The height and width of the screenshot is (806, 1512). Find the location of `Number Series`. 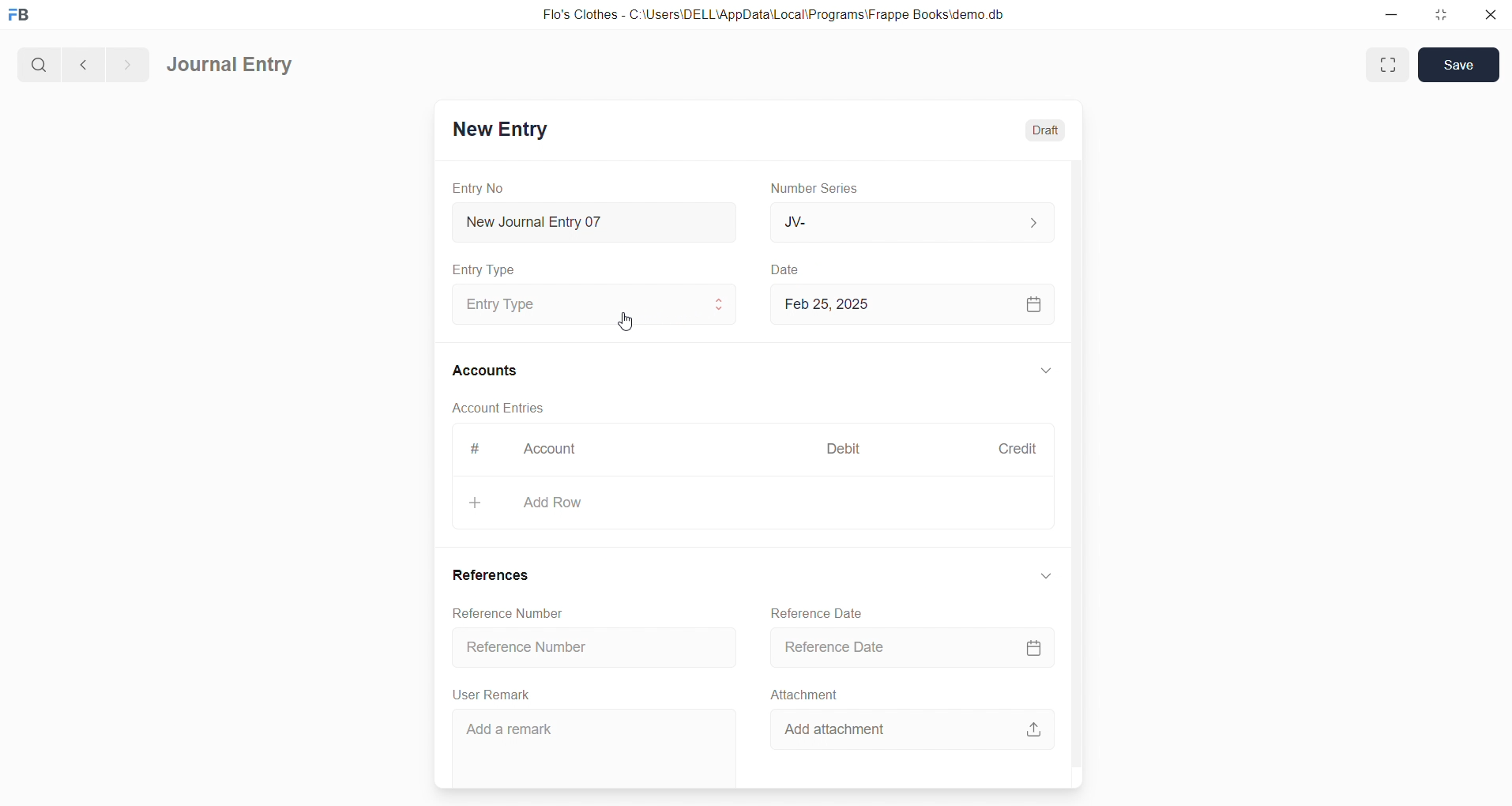

Number Series is located at coordinates (819, 189).